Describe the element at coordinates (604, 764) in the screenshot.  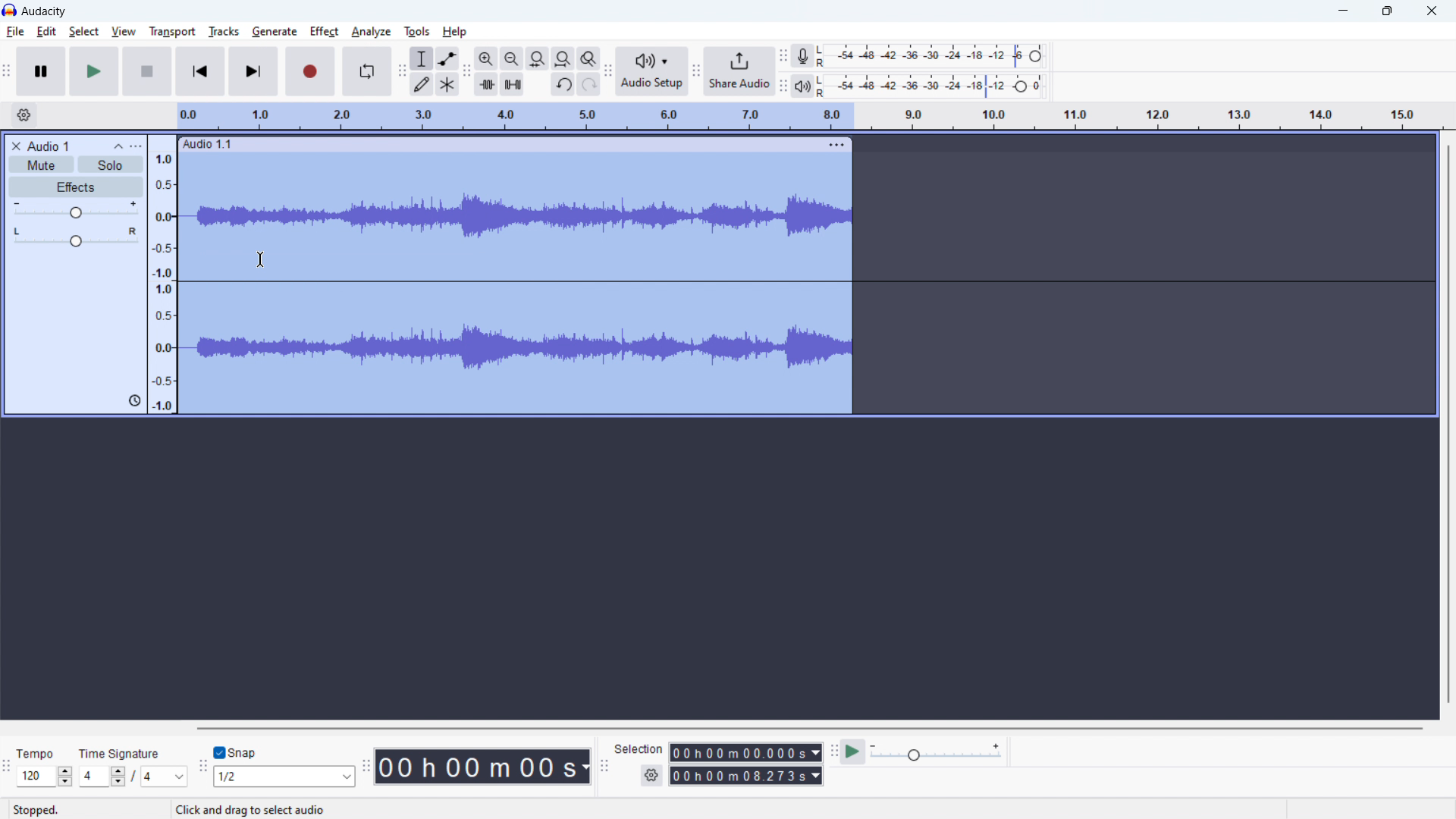
I see `selection toolbar` at that location.